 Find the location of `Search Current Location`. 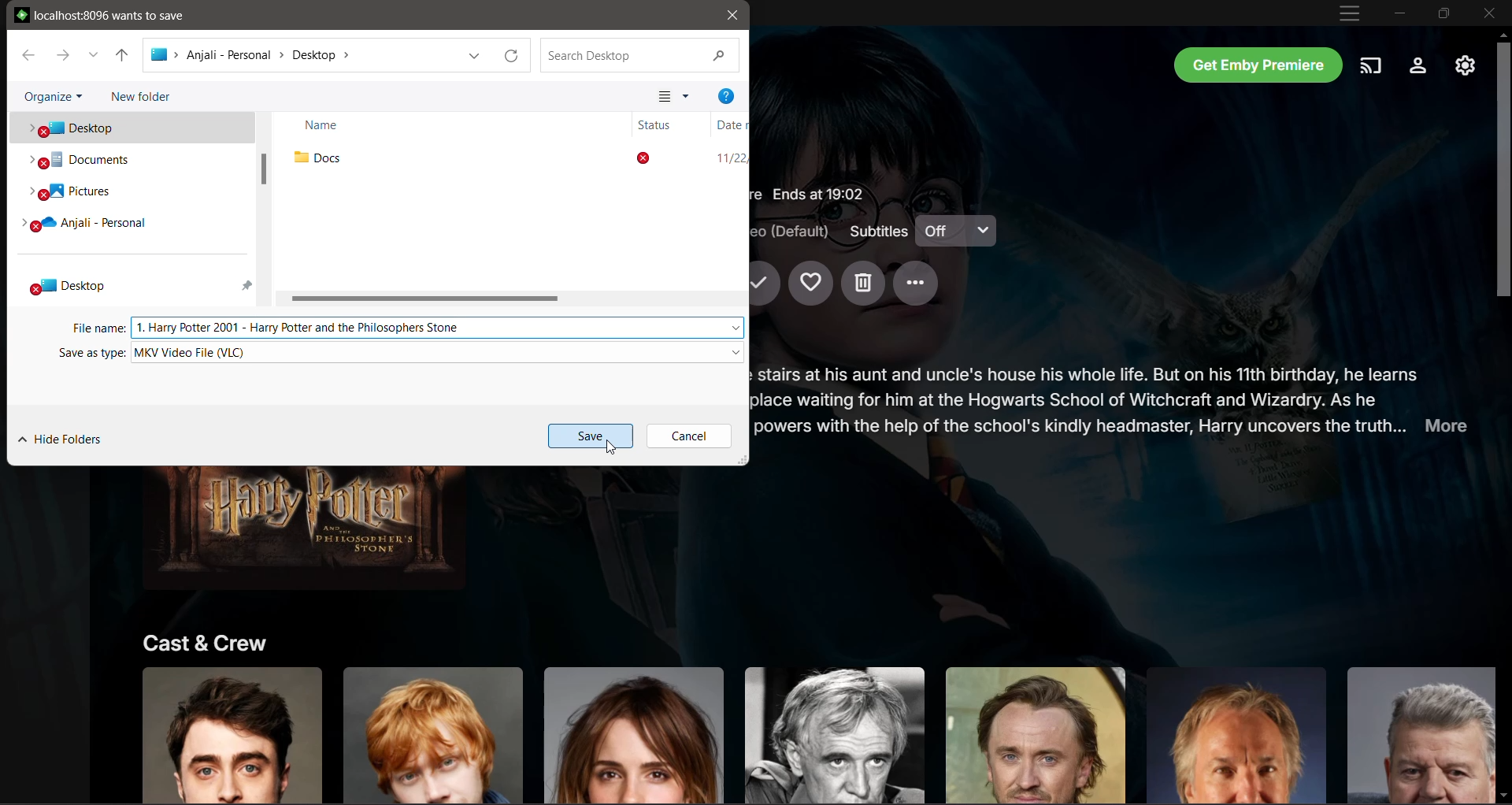

Search Current Location is located at coordinates (641, 55).